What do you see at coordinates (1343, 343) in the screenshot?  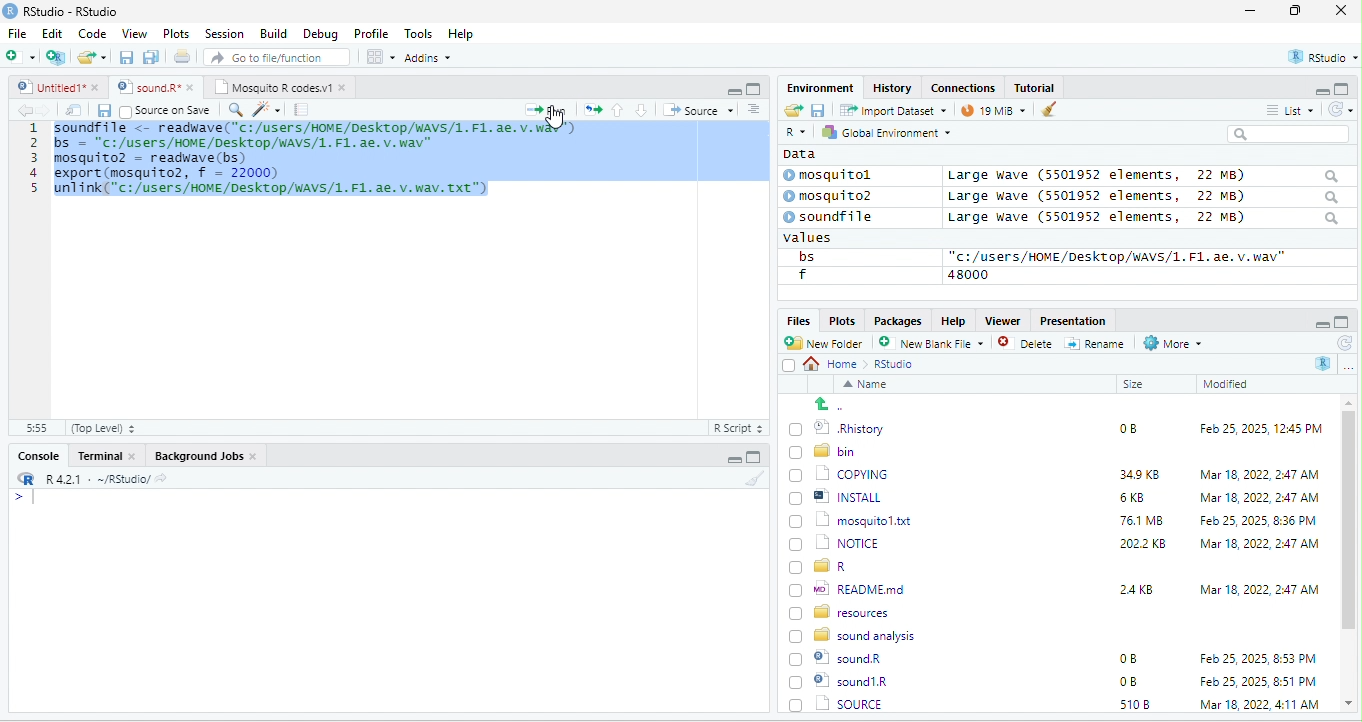 I see `refresh` at bounding box center [1343, 343].